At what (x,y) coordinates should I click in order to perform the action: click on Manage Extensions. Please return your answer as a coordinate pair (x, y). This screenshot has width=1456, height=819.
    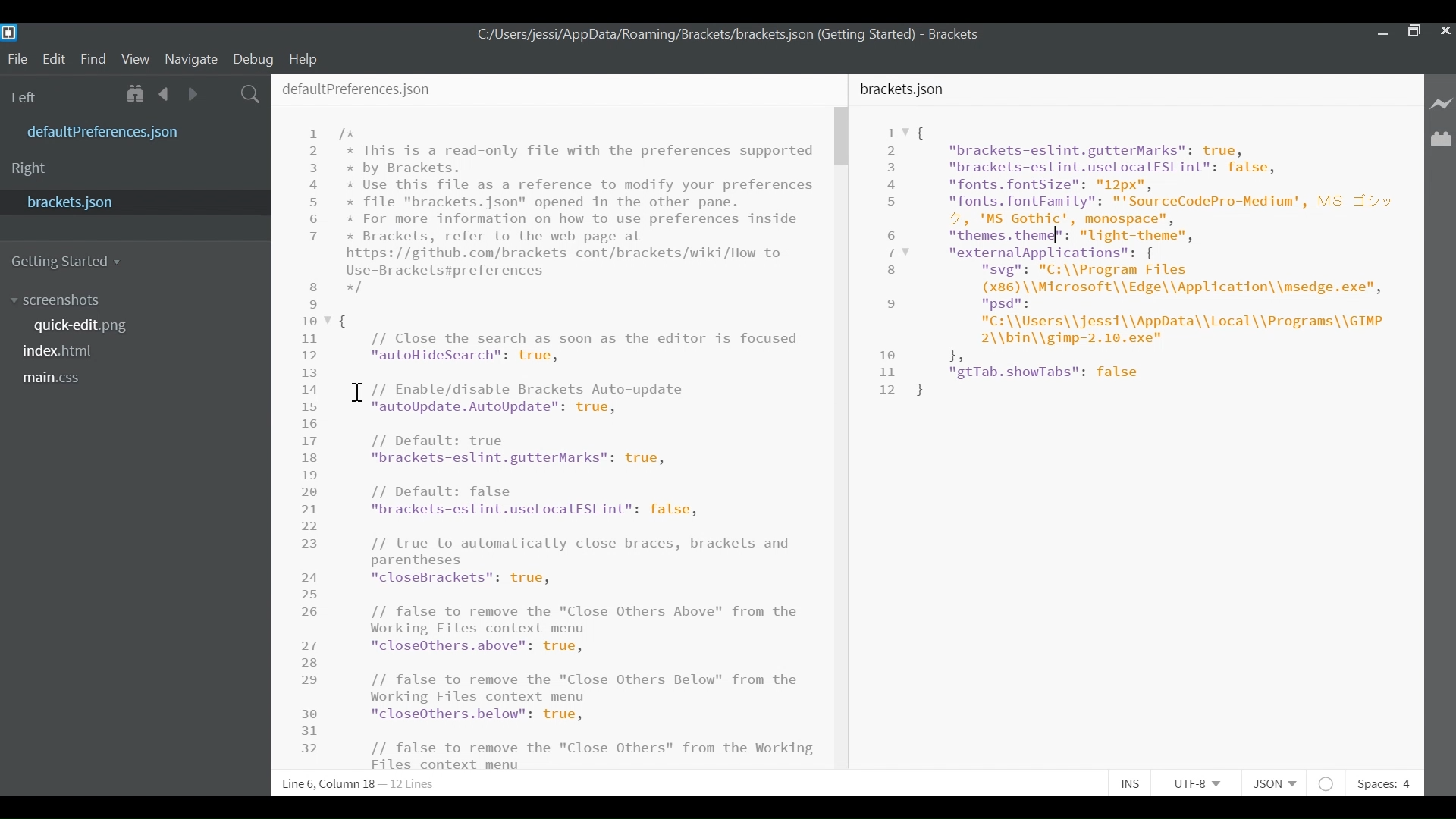
    Looking at the image, I should click on (1441, 140).